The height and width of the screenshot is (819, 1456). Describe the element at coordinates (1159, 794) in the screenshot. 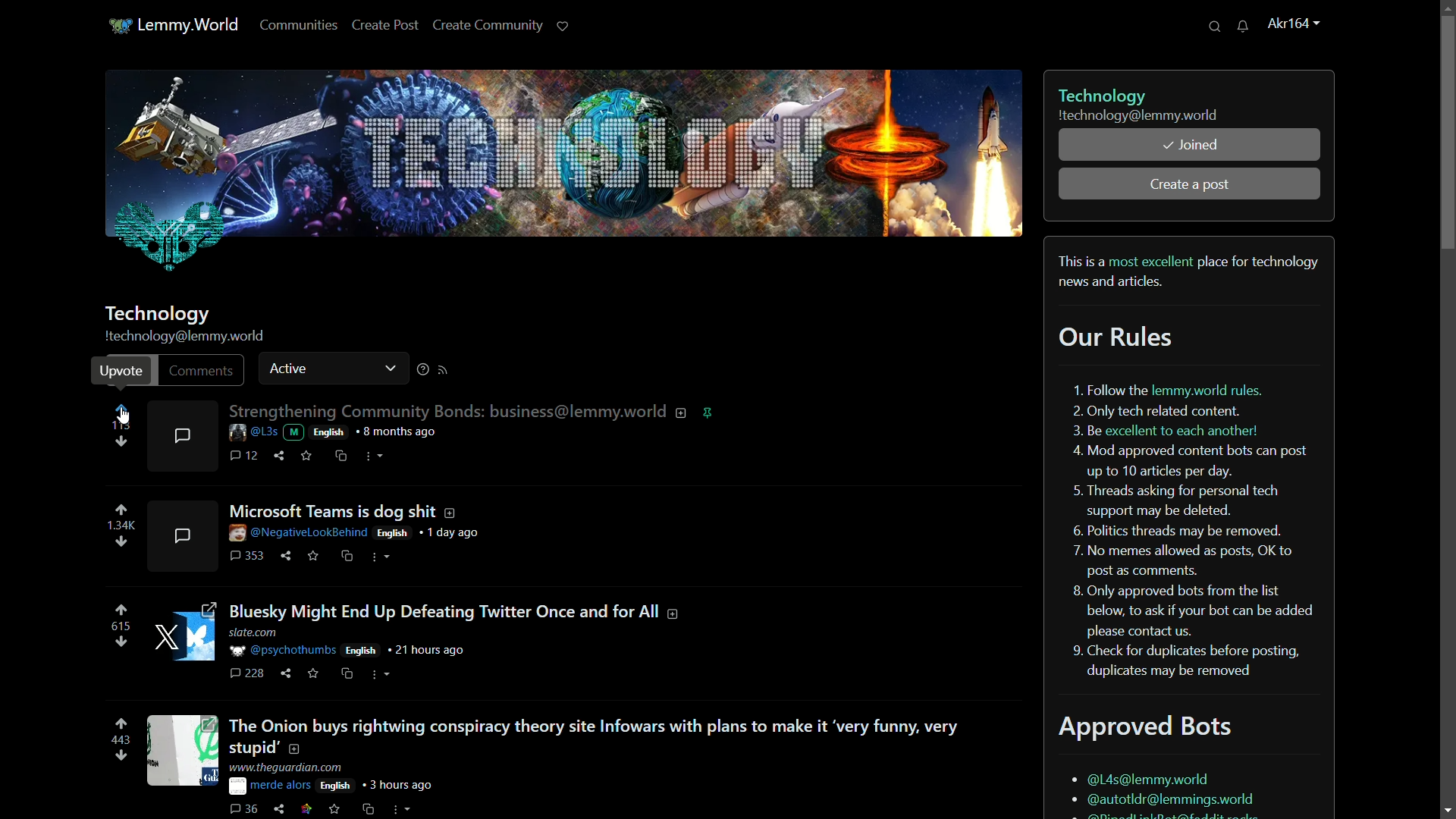

I see `bots` at that location.